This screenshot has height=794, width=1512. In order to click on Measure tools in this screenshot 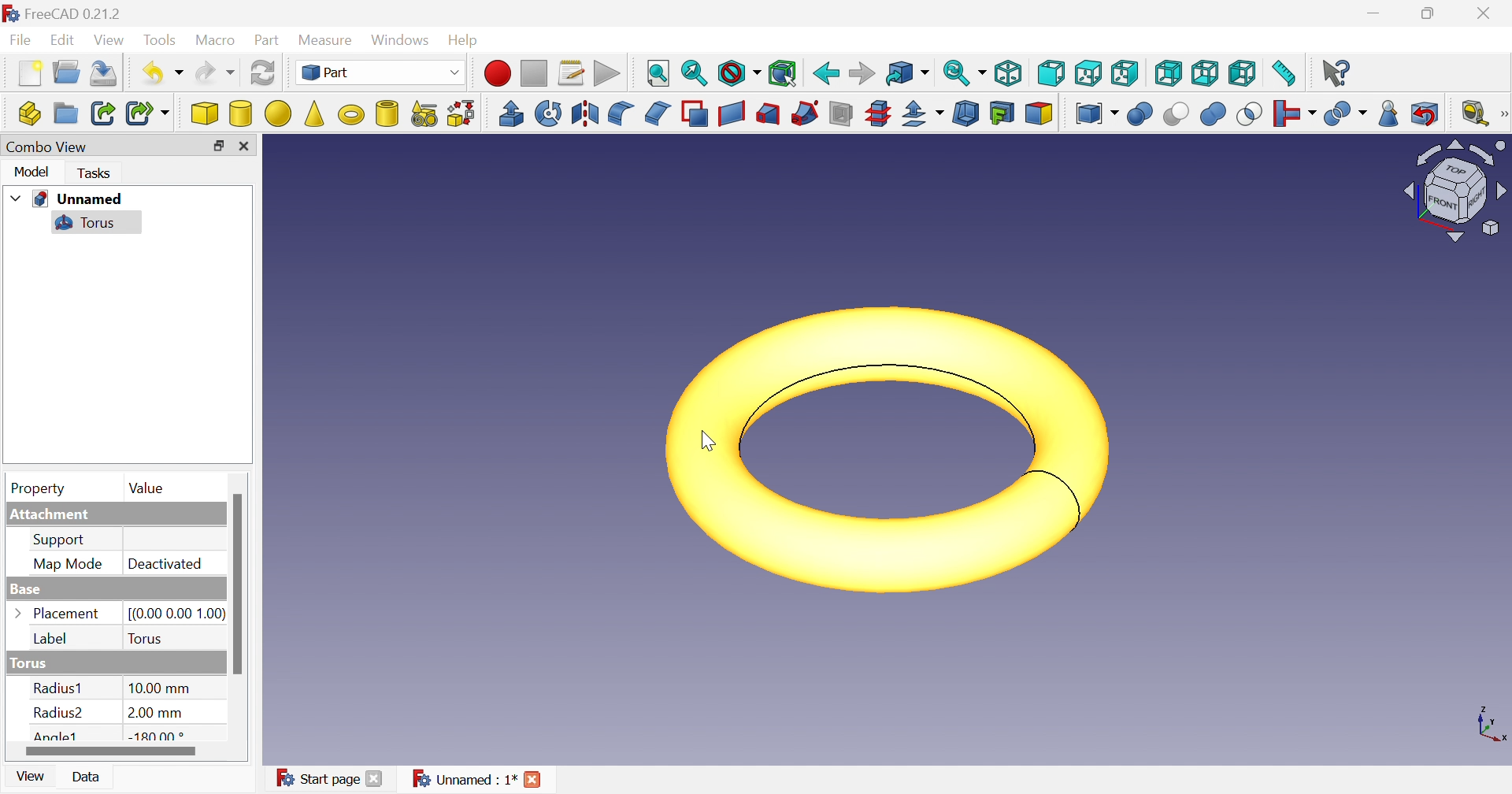, I will do `click(1473, 113)`.